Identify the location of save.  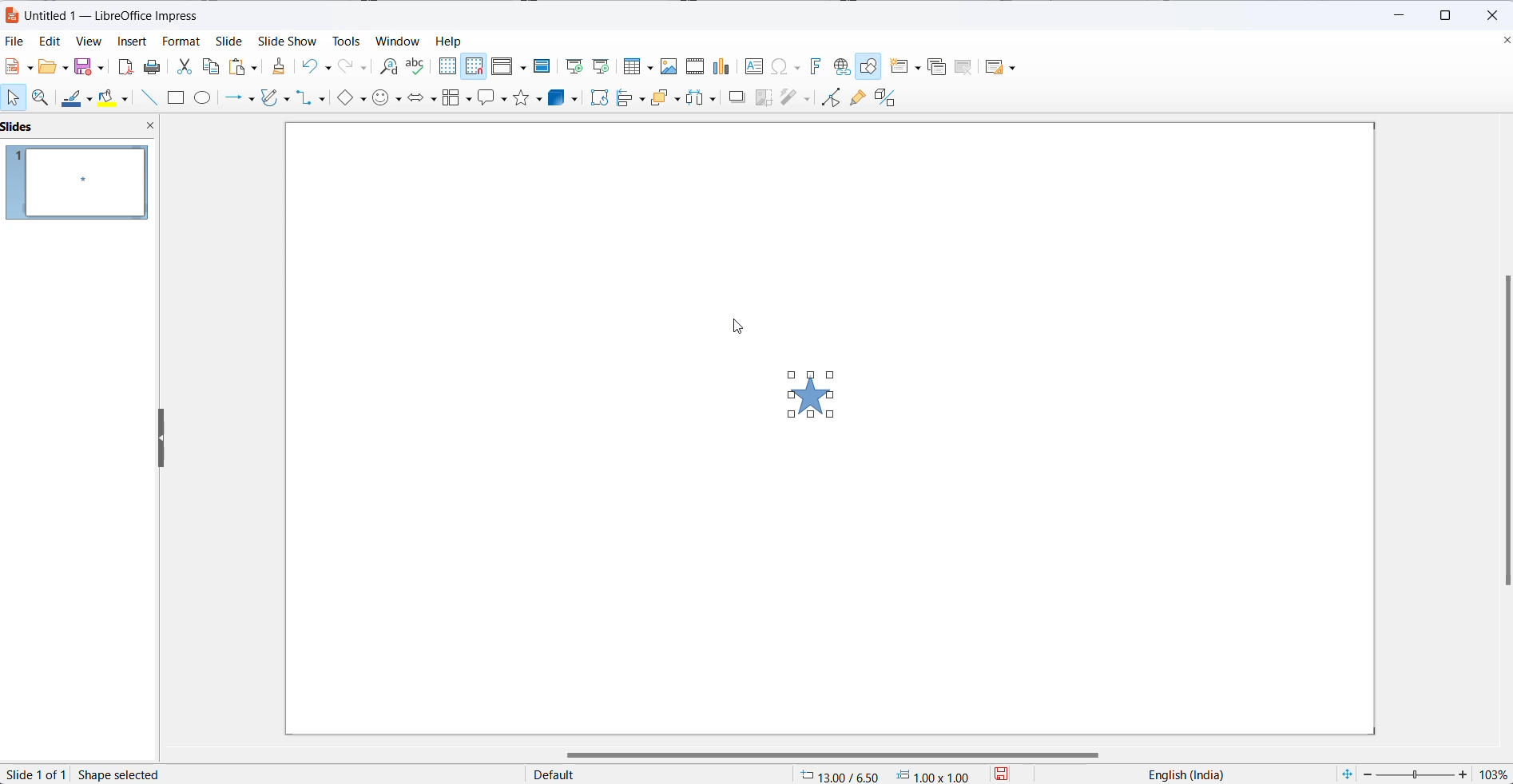
(89, 66).